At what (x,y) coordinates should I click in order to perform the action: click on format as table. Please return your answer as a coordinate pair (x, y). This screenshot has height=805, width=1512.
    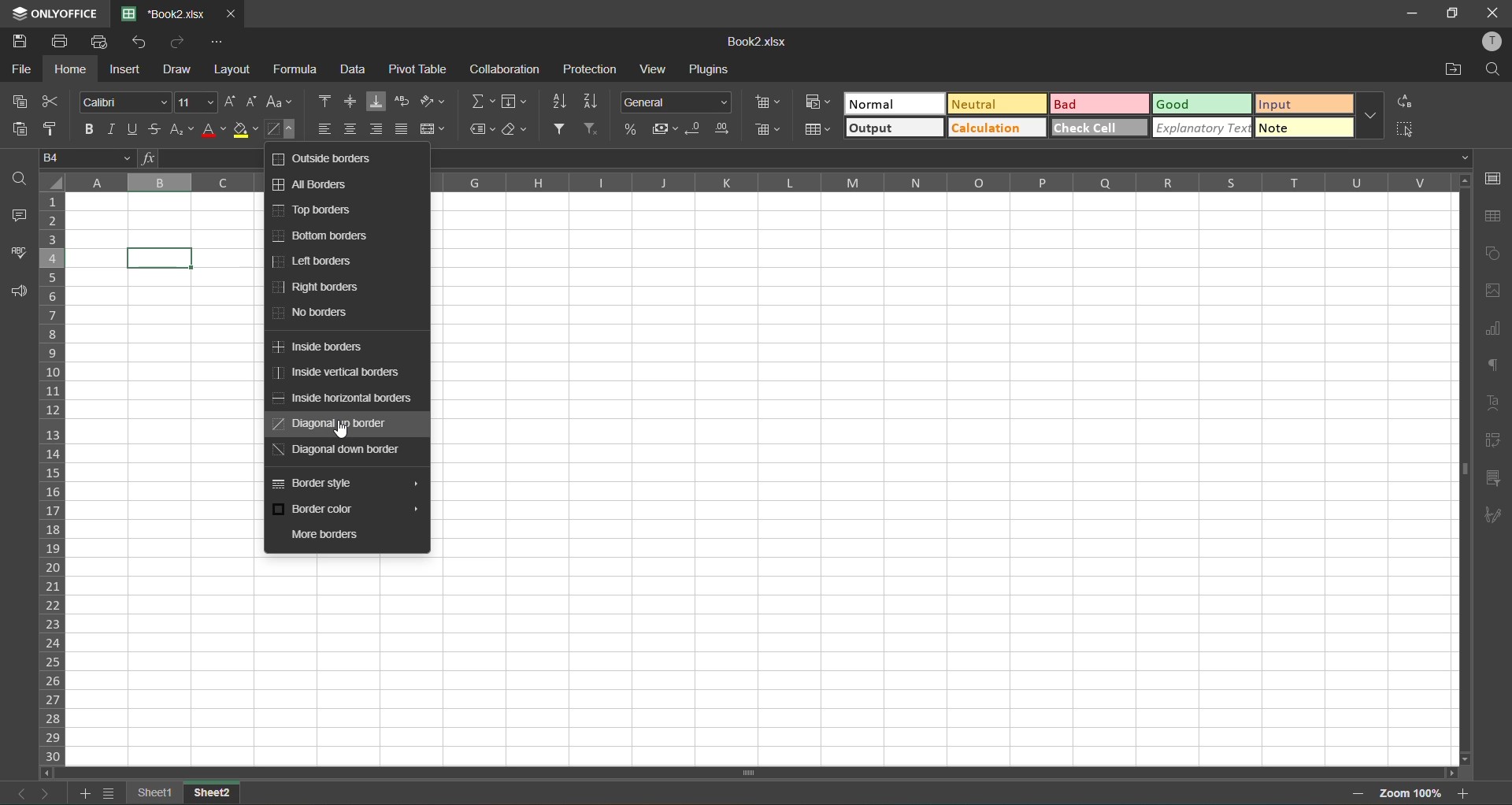
    Looking at the image, I should click on (821, 131).